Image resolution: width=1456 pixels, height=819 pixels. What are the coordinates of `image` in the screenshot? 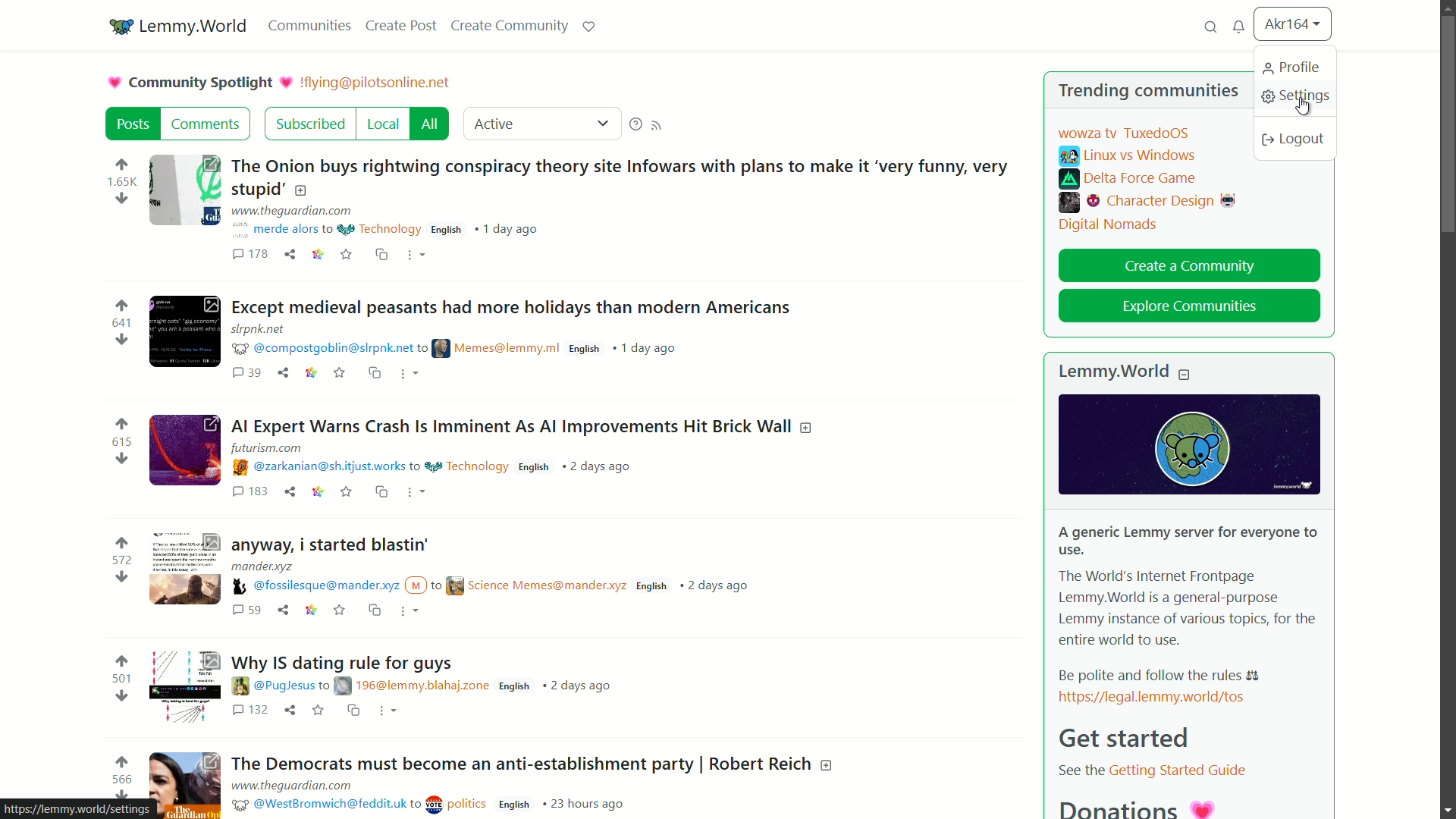 It's located at (187, 567).